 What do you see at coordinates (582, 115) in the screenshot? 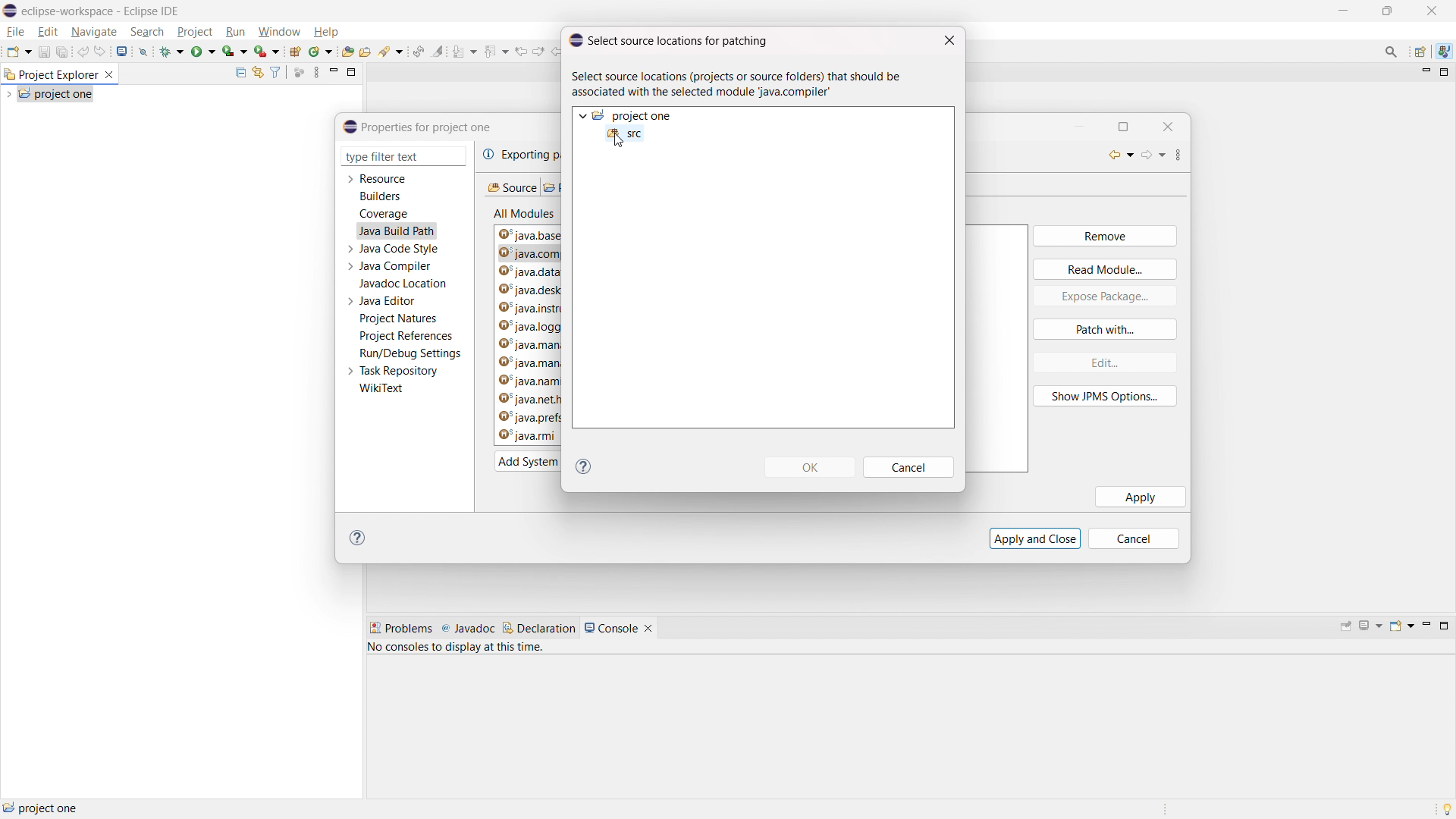
I see `expand project one` at bounding box center [582, 115].